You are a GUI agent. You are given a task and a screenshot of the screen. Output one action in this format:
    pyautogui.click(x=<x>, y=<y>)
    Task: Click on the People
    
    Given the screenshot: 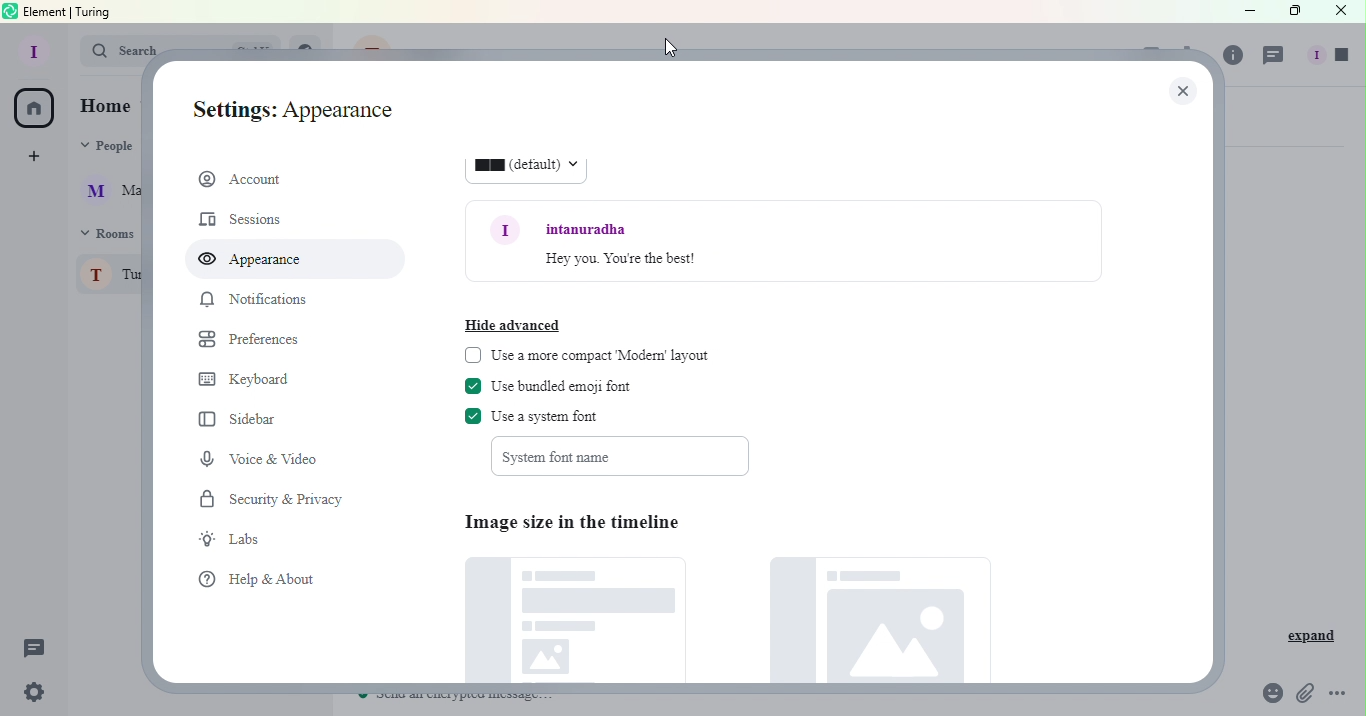 What is the action you would take?
    pyautogui.click(x=1328, y=59)
    